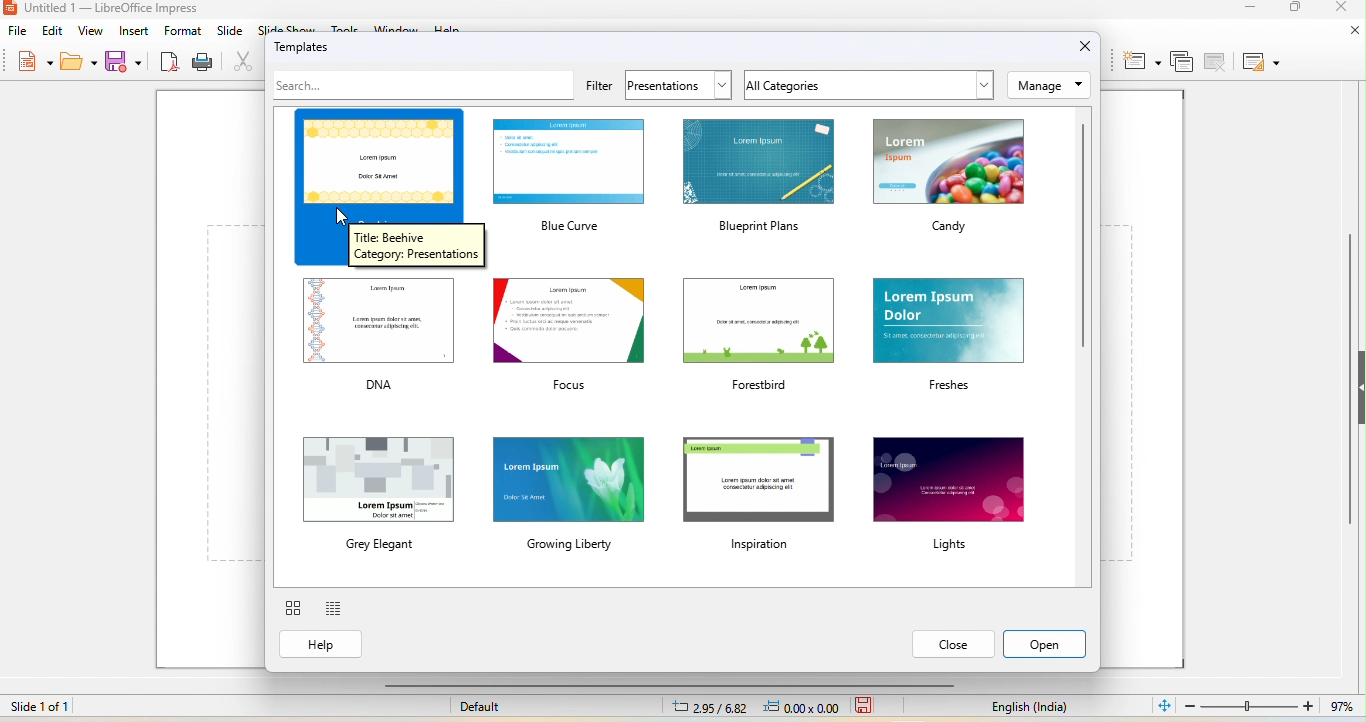 The image size is (1366, 722). What do you see at coordinates (184, 31) in the screenshot?
I see `format` at bounding box center [184, 31].